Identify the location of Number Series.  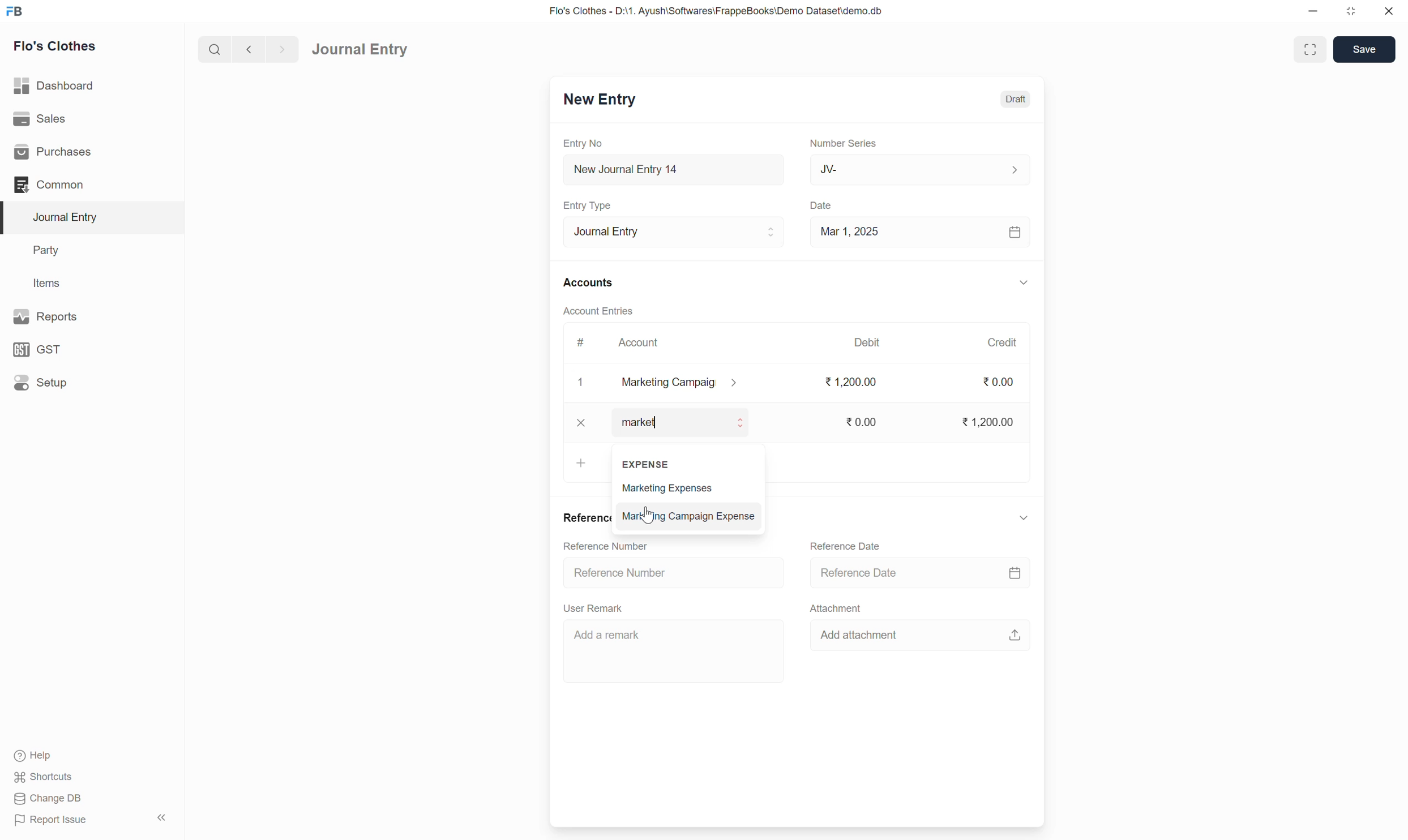
(844, 142).